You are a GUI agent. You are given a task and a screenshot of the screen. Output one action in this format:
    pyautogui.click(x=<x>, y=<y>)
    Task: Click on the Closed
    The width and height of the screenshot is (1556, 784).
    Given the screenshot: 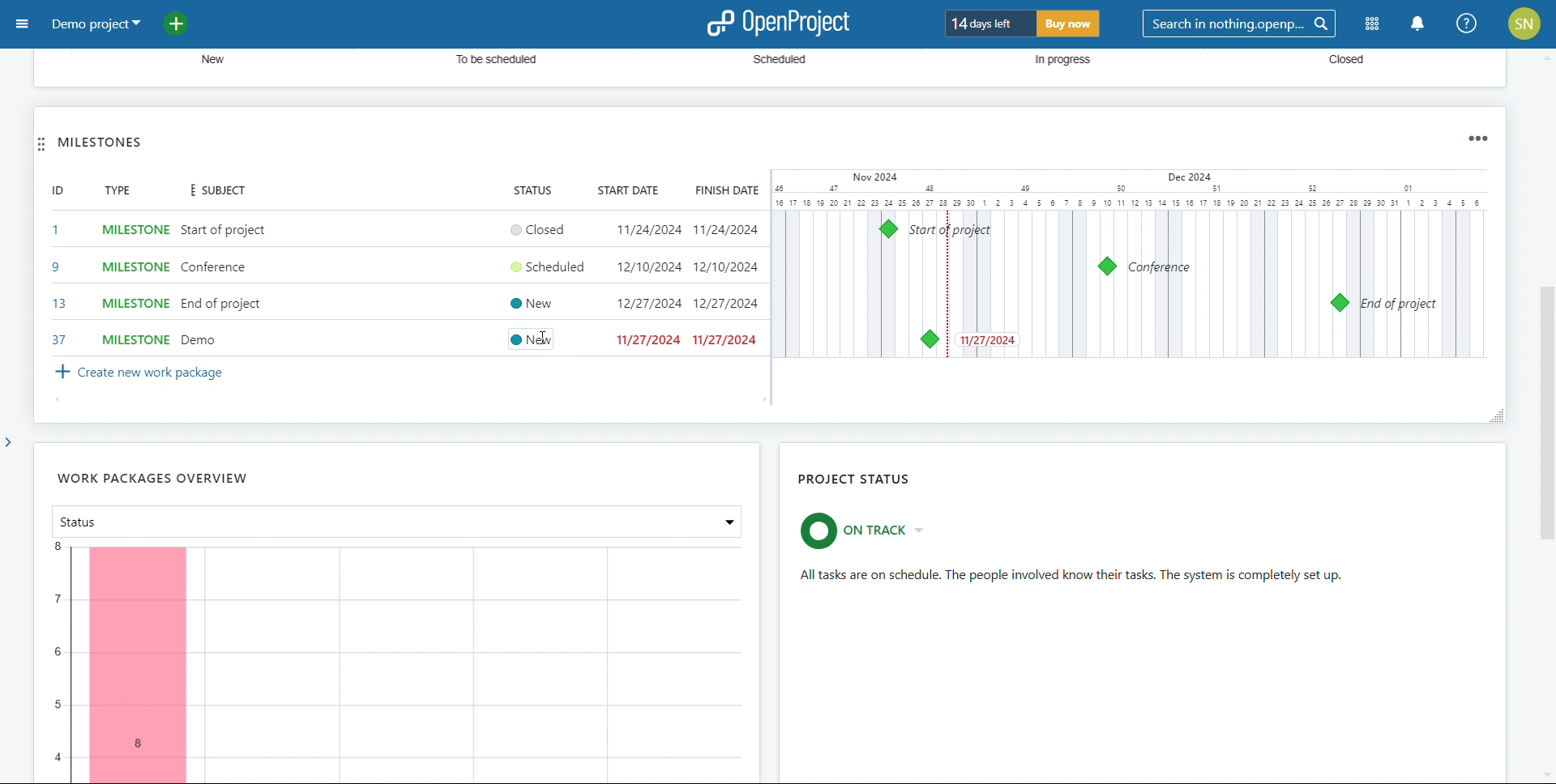 What is the action you would take?
    pyautogui.click(x=1335, y=61)
    